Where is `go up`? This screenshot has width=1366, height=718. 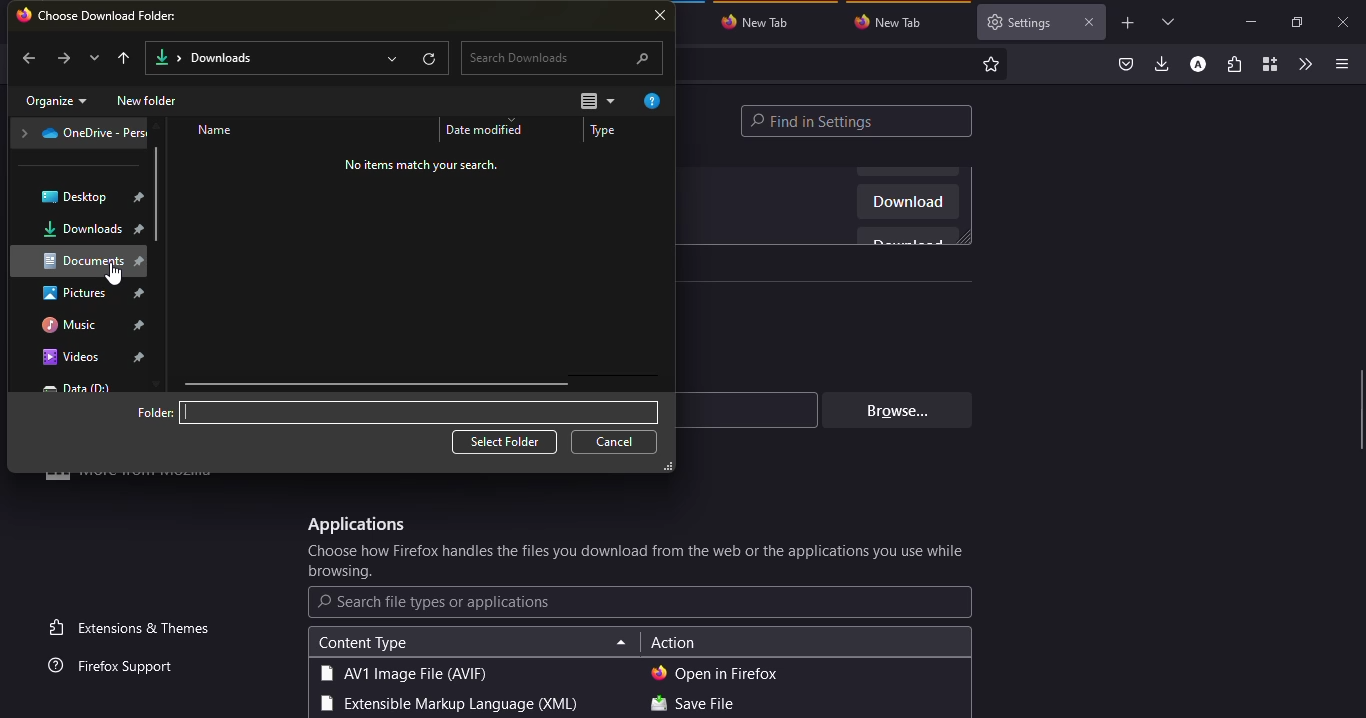 go up is located at coordinates (127, 57).